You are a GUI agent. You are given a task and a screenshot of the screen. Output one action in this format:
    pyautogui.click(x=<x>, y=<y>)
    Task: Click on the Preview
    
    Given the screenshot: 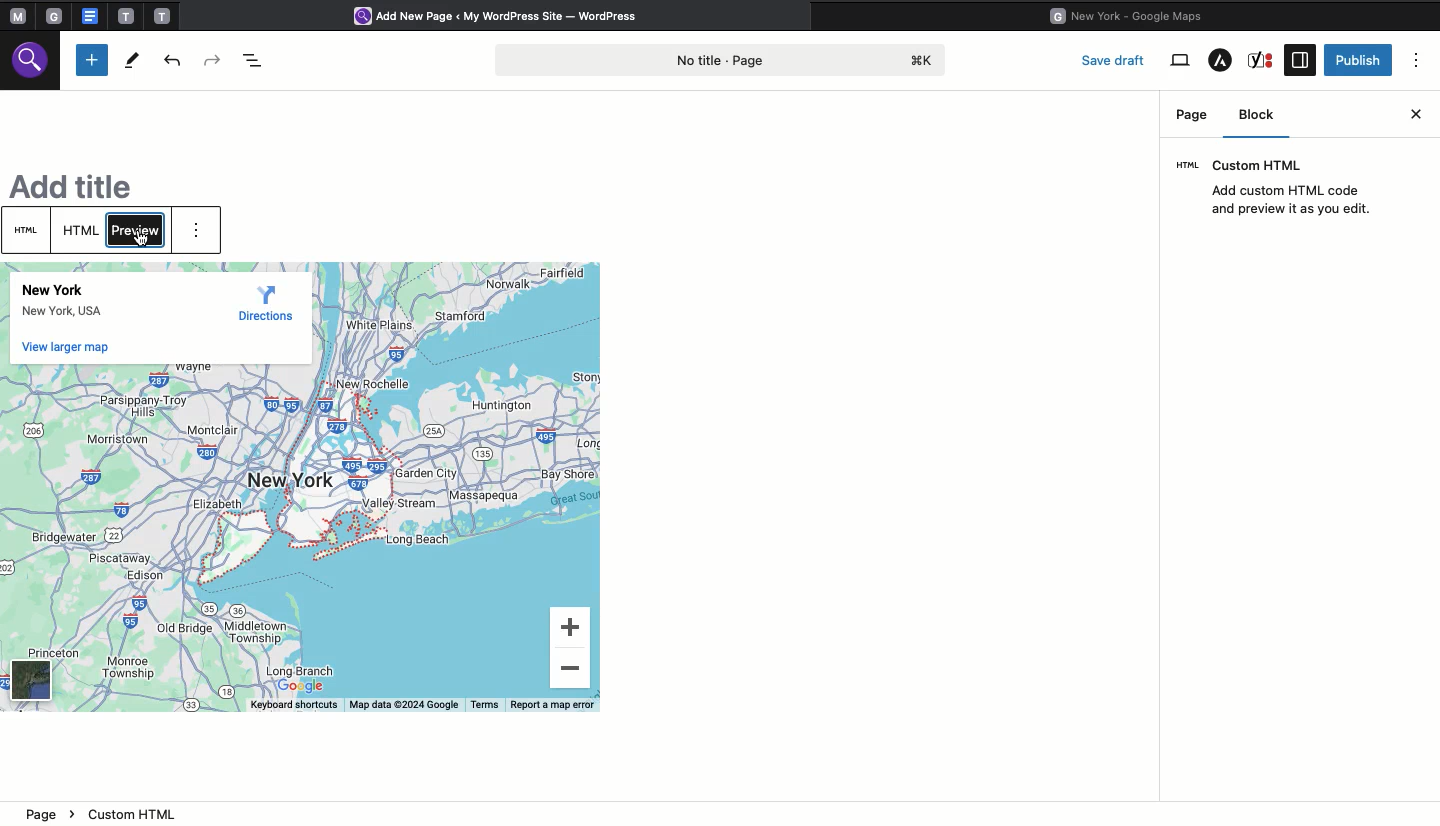 What is the action you would take?
    pyautogui.click(x=138, y=229)
    